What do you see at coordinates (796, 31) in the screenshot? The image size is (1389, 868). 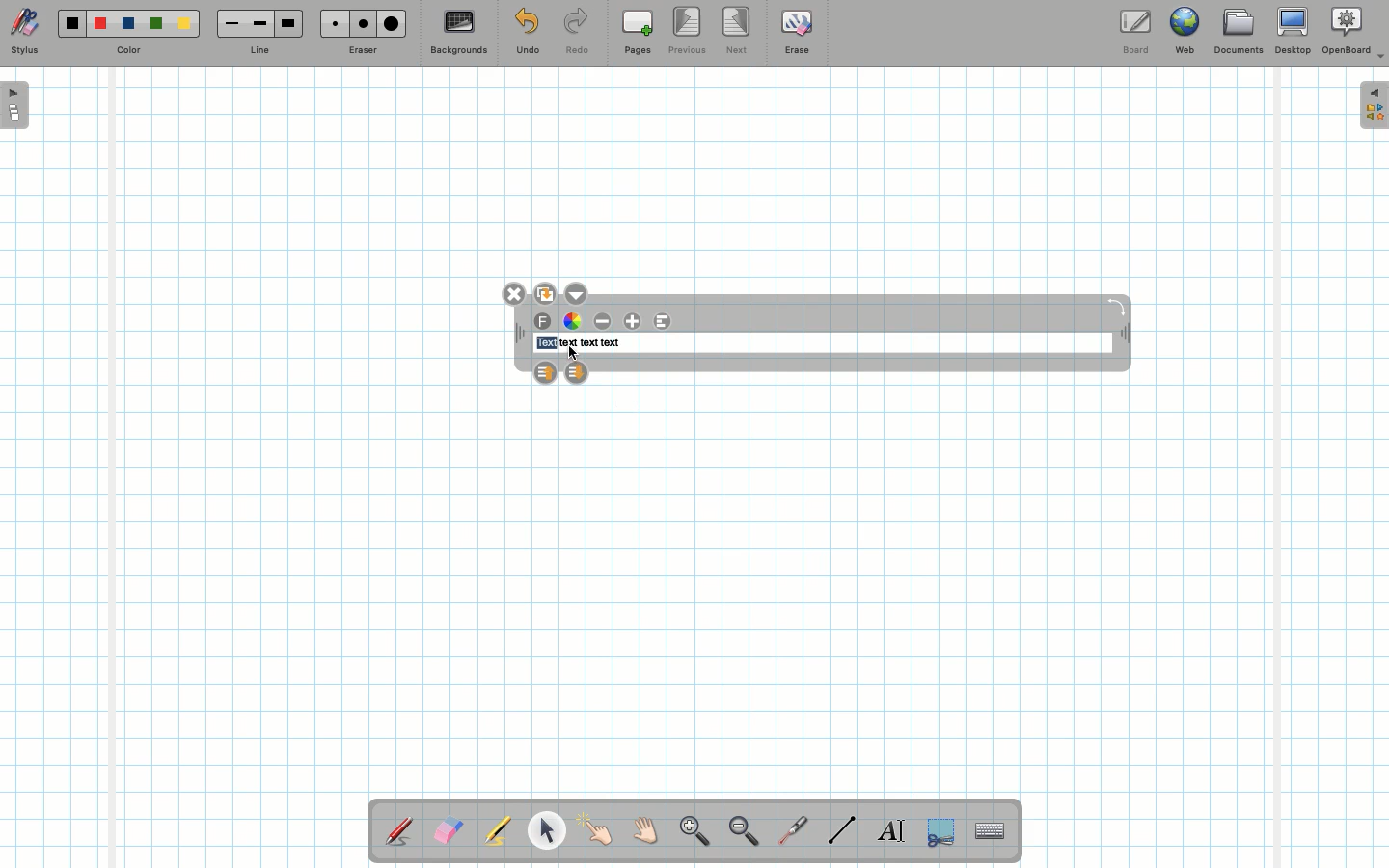 I see `Erase` at bounding box center [796, 31].